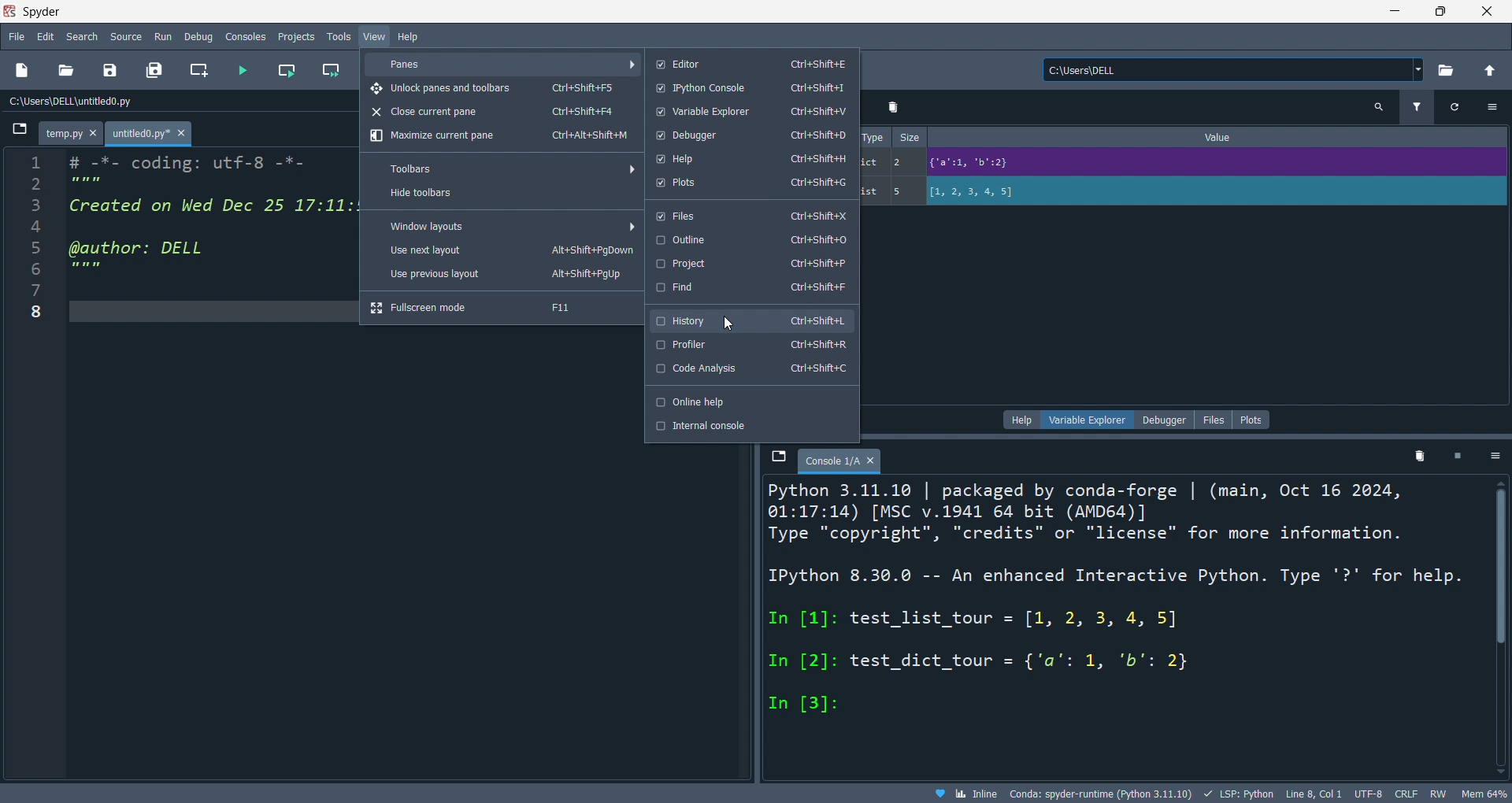 Image resolution: width=1512 pixels, height=803 pixels. I want to click on run cell and move, so click(335, 71).